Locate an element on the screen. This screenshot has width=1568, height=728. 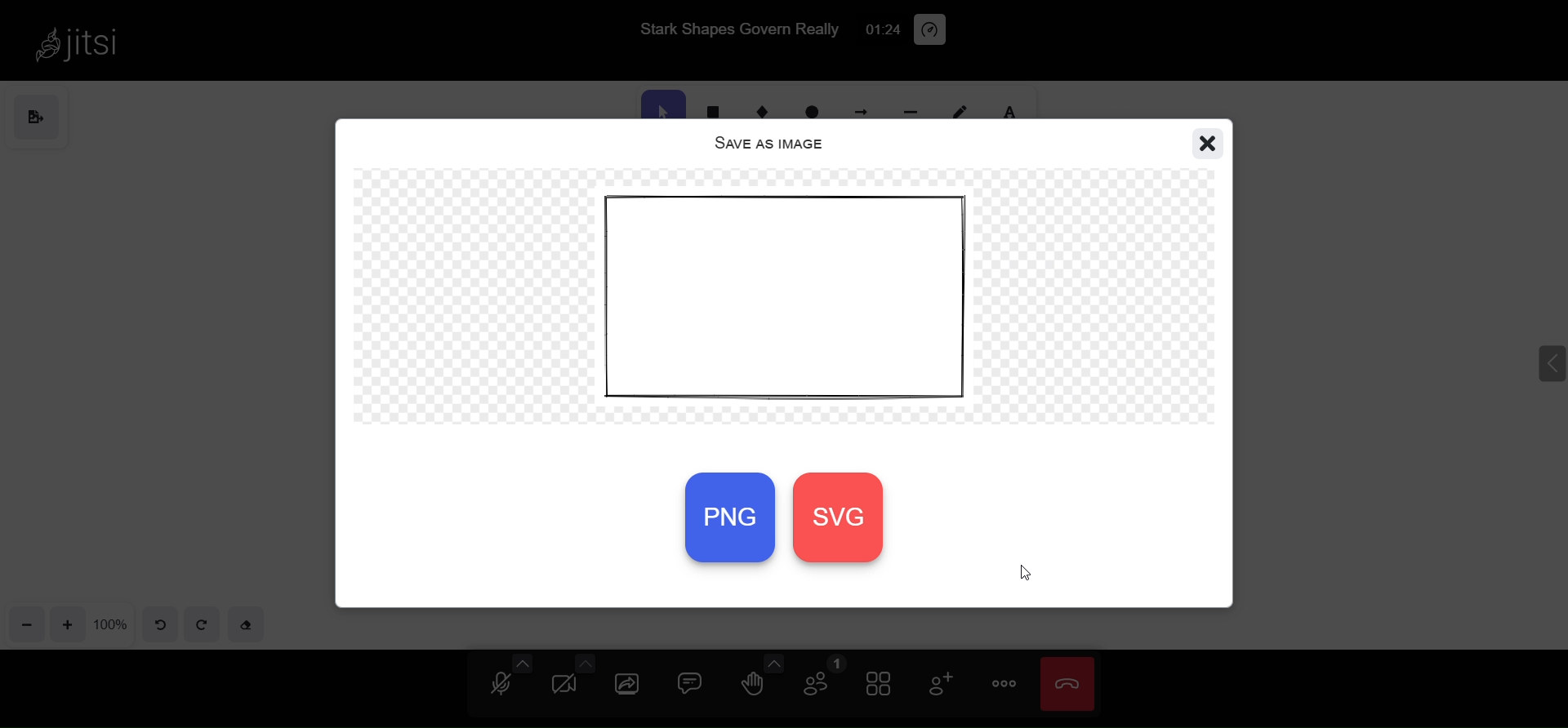
undo is located at coordinates (158, 624).